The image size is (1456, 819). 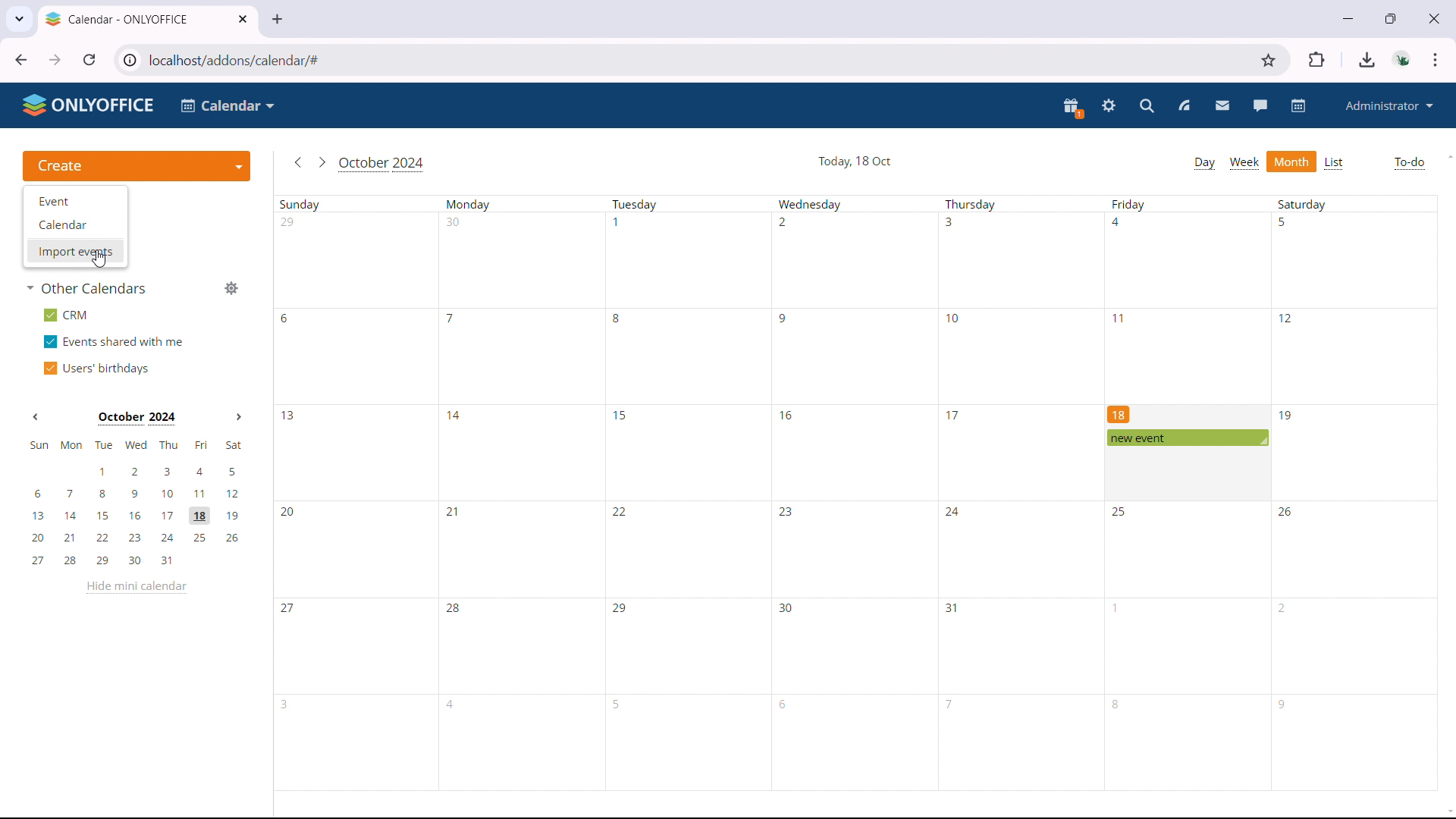 What do you see at coordinates (98, 369) in the screenshot?
I see `users' birthdays` at bounding box center [98, 369].